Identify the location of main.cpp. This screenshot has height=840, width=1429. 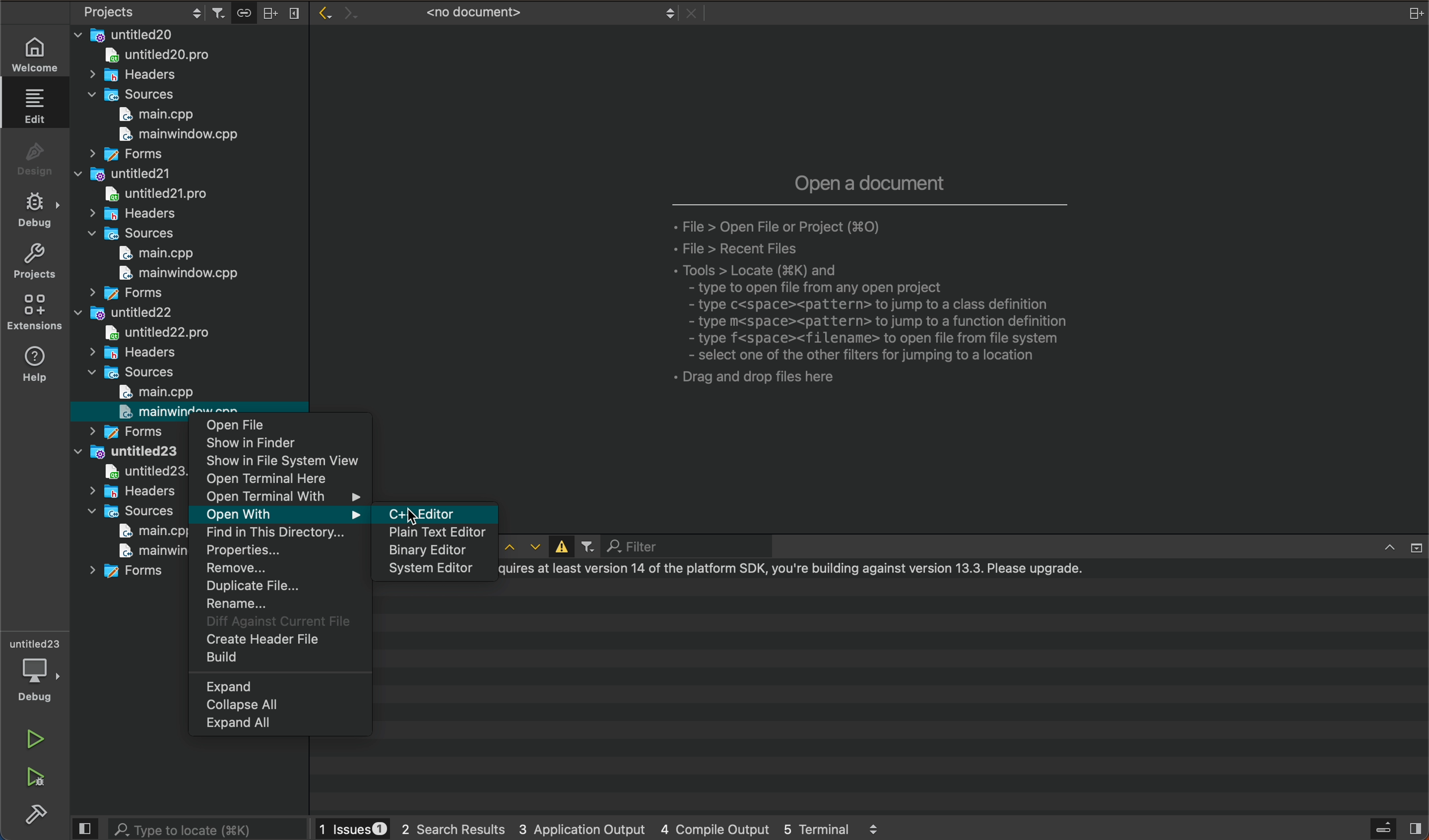
(153, 392).